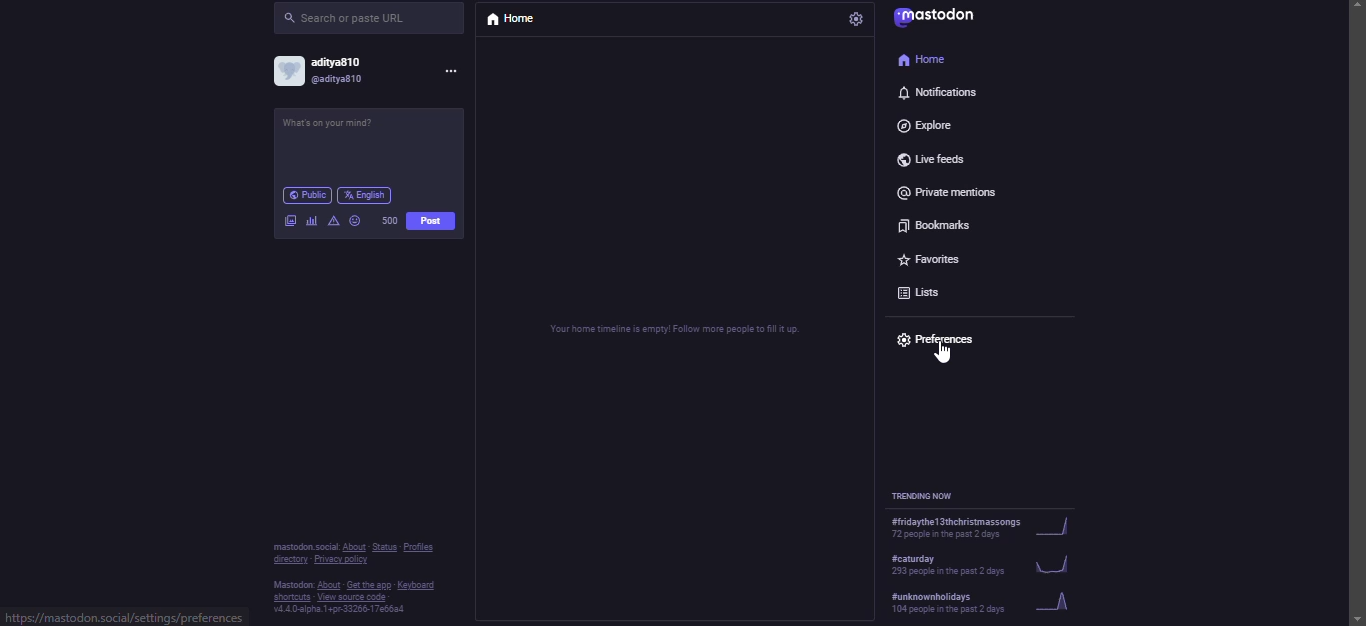  I want to click on home timeline, so click(672, 327).